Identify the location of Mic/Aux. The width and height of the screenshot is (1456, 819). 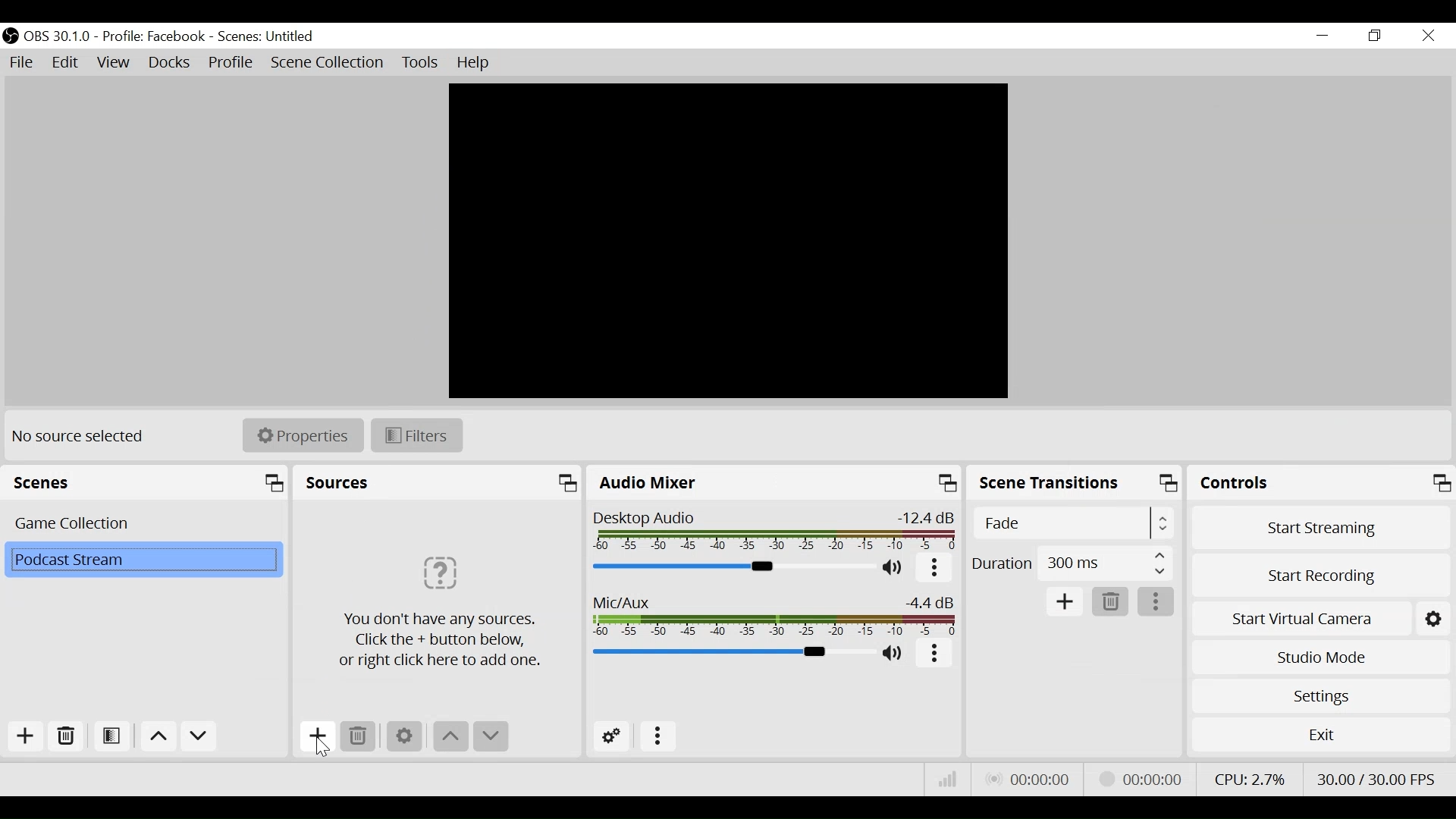
(731, 652).